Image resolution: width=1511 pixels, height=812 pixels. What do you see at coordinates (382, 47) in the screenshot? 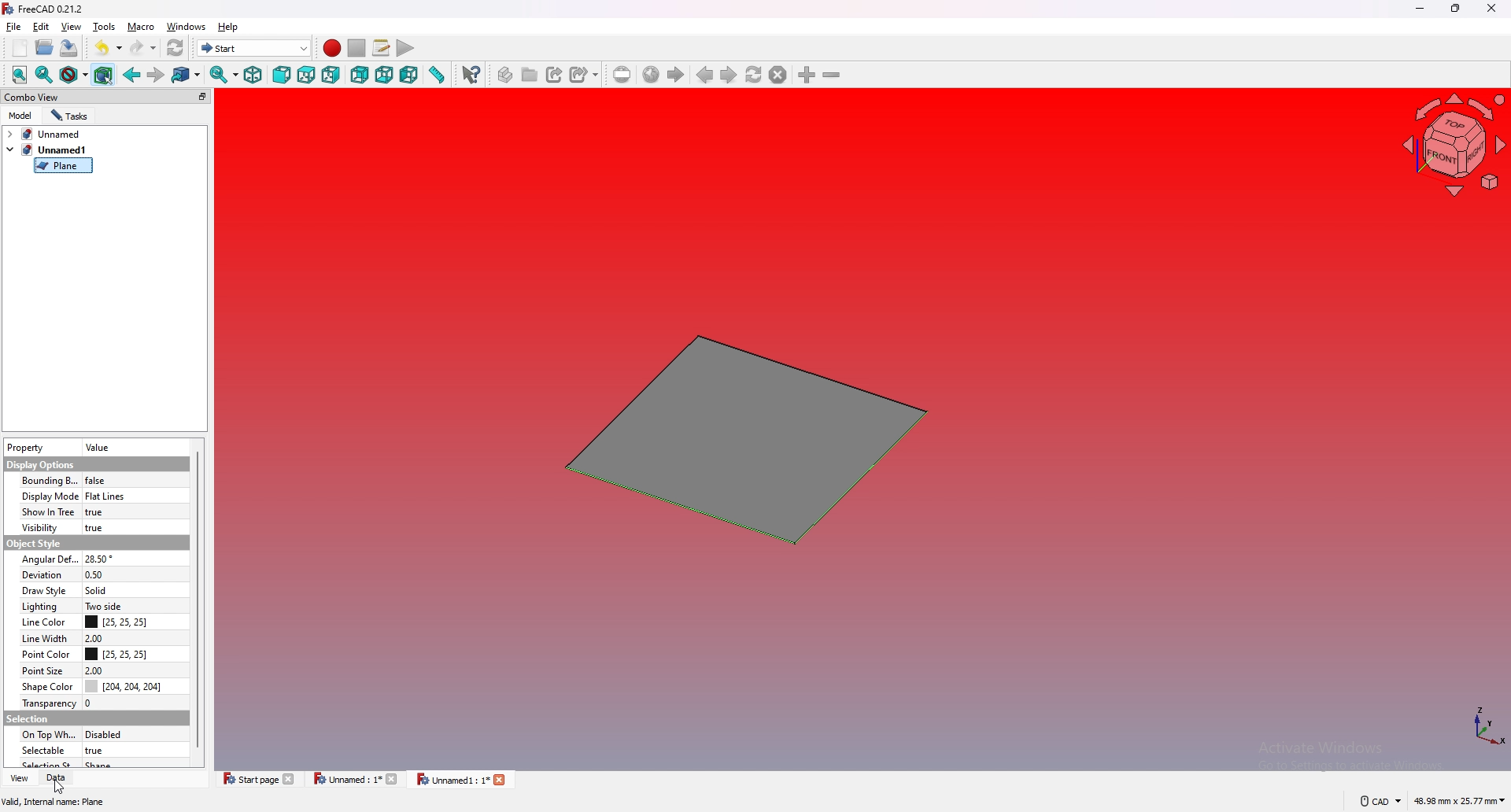
I see `macros` at bounding box center [382, 47].